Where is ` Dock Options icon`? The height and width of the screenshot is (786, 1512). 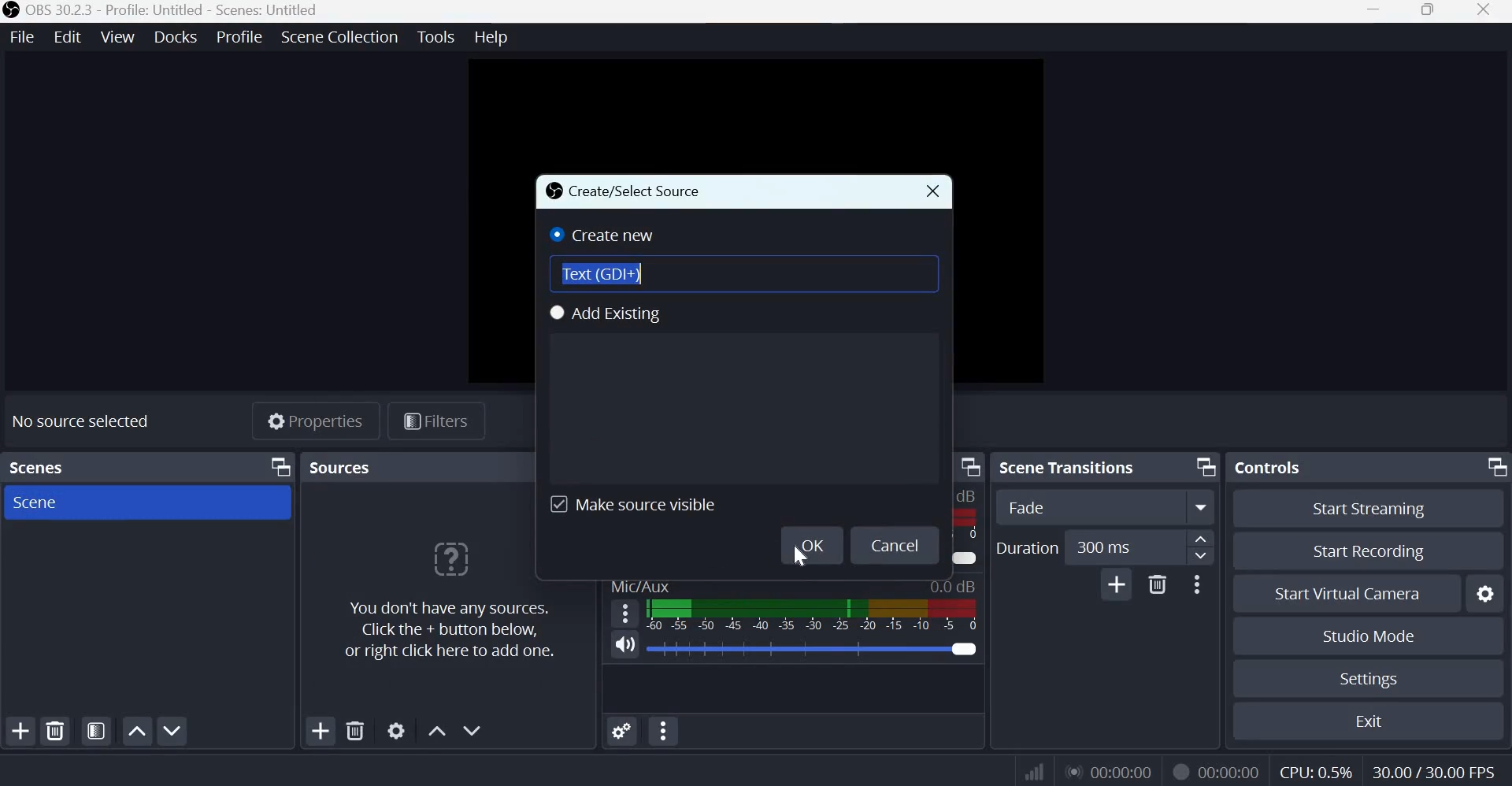
 Dock Options icon is located at coordinates (1493, 466).